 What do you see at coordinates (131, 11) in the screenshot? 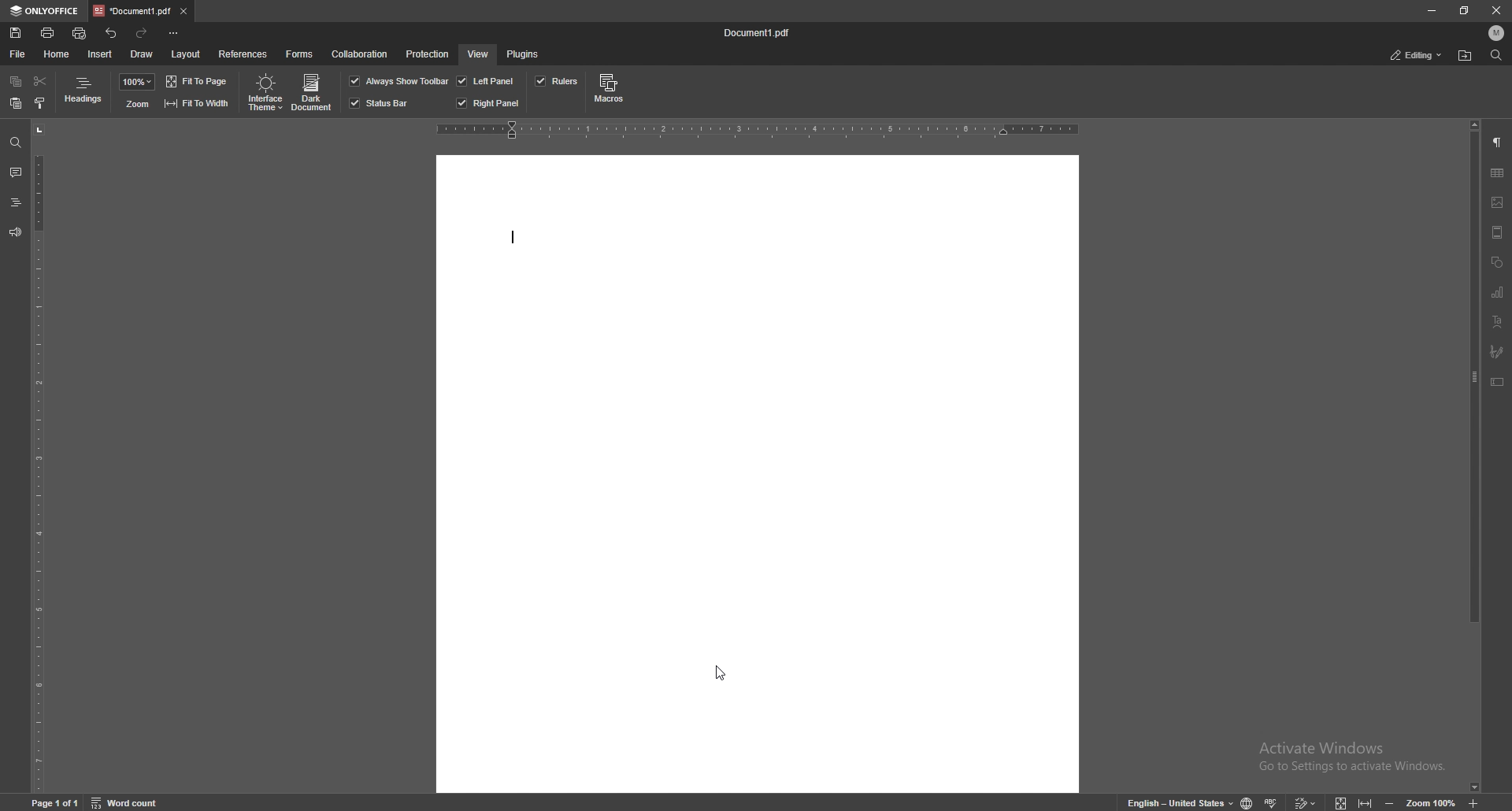
I see `tab` at bounding box center [131, 11].